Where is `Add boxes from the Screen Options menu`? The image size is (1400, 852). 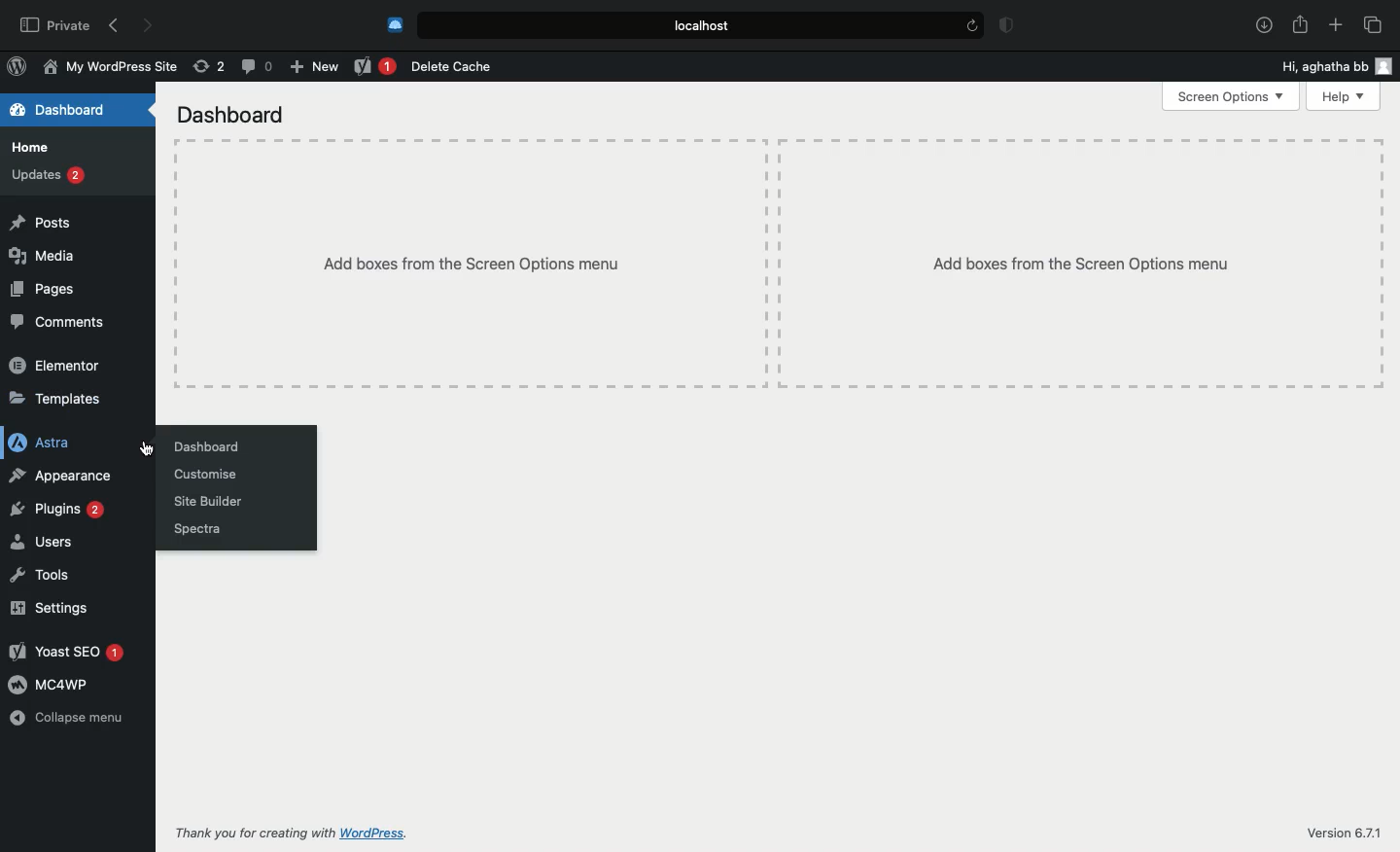
Add boxes from the Screen Options menu is located at coordinates (1085, 265).